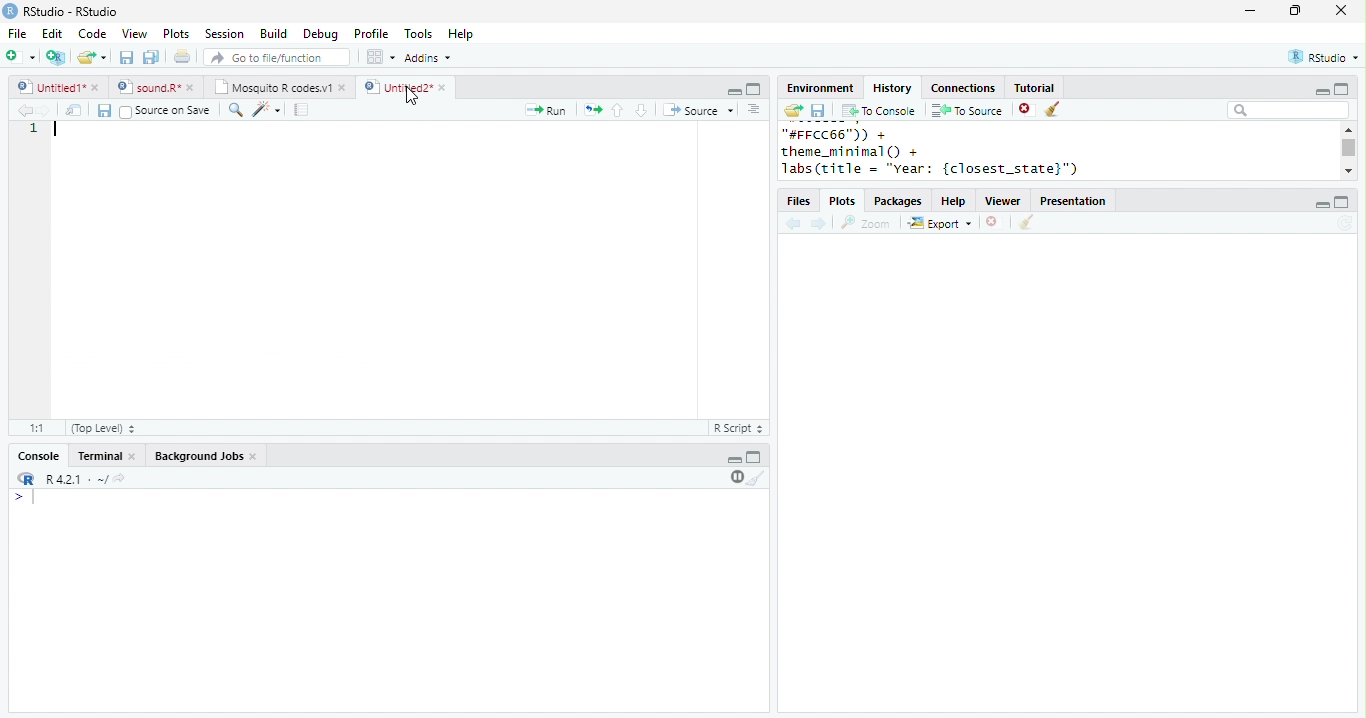 Image resolution: width=1366 pixels, height=718 pixels. I want to click on close, so click(445, 88).